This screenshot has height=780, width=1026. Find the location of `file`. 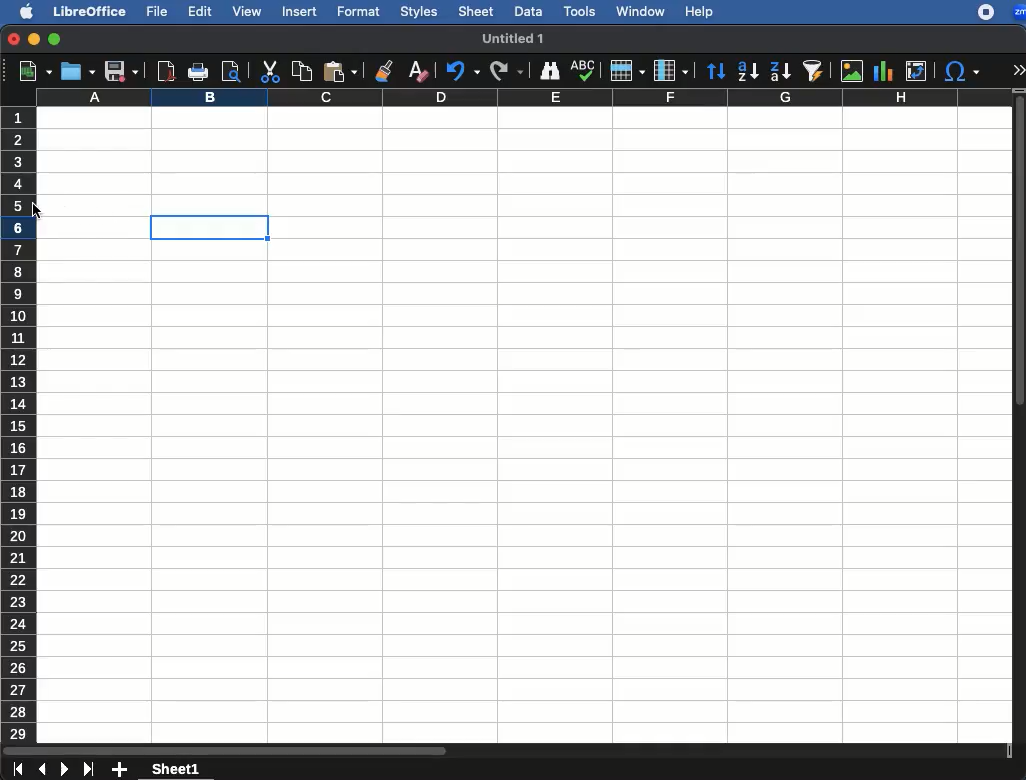

file is located at coordinates (156, 12).